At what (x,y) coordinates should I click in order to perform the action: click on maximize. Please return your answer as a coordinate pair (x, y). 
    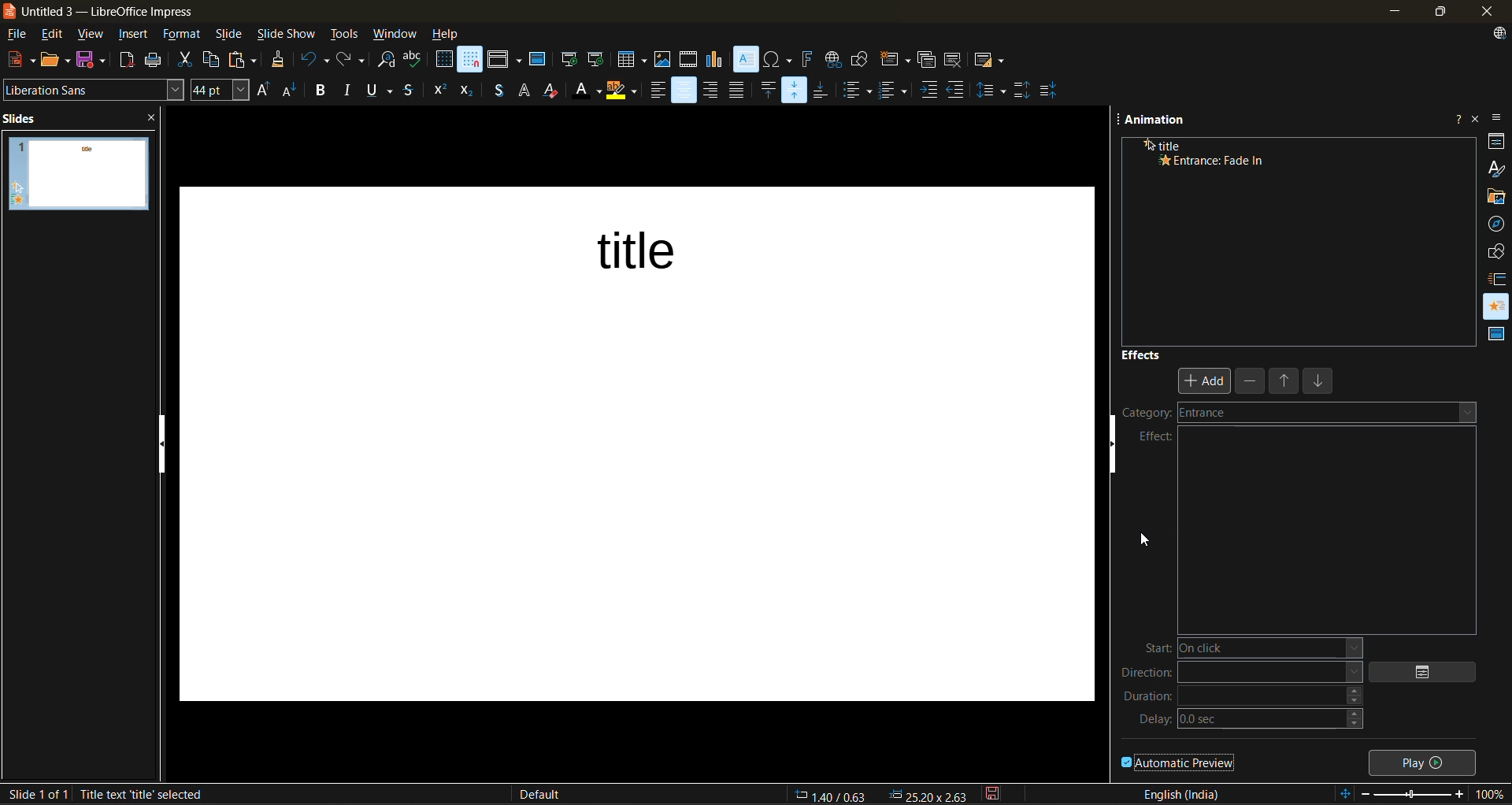
    Looking at the image, I should click on (1437, 14).